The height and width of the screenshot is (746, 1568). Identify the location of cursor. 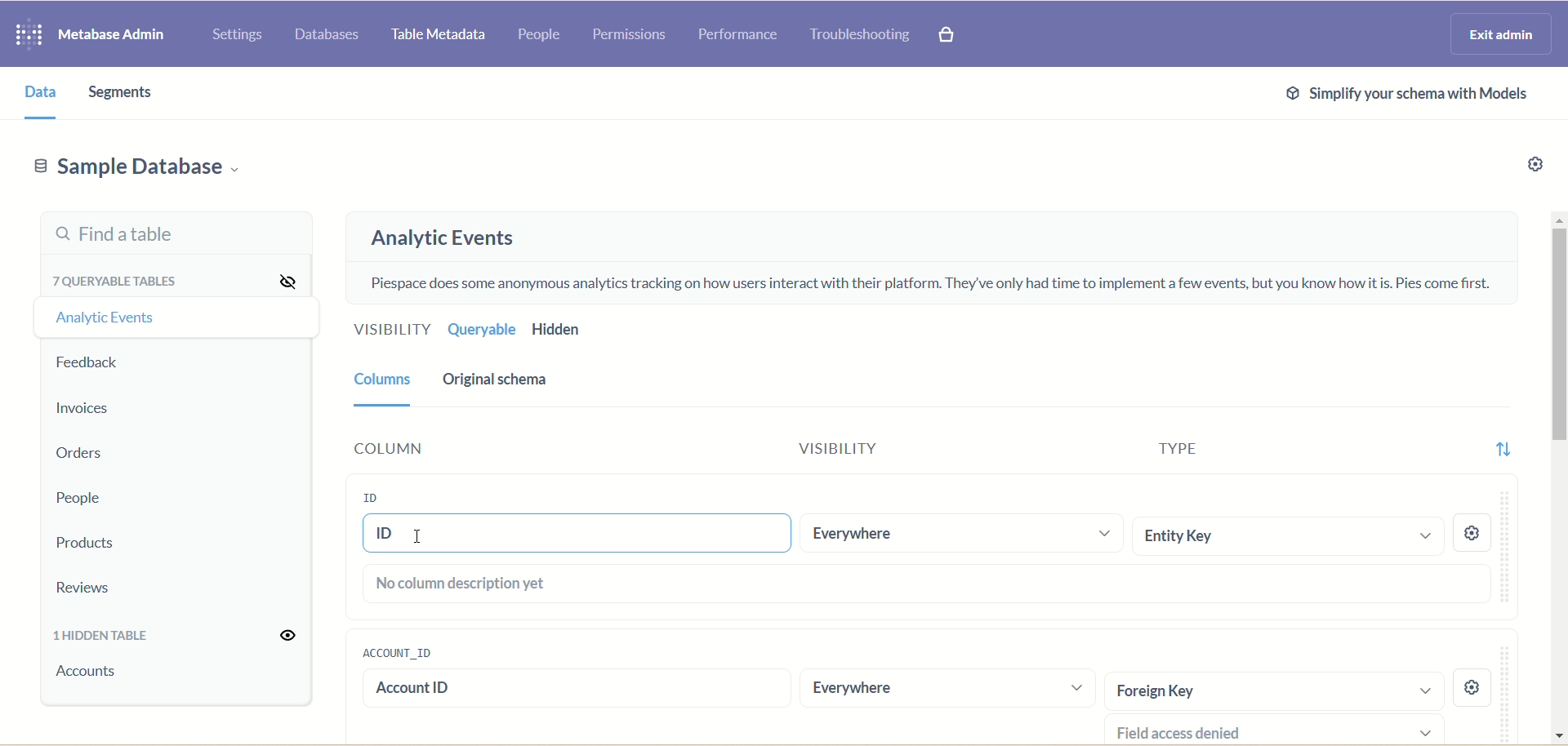
(418, 535).